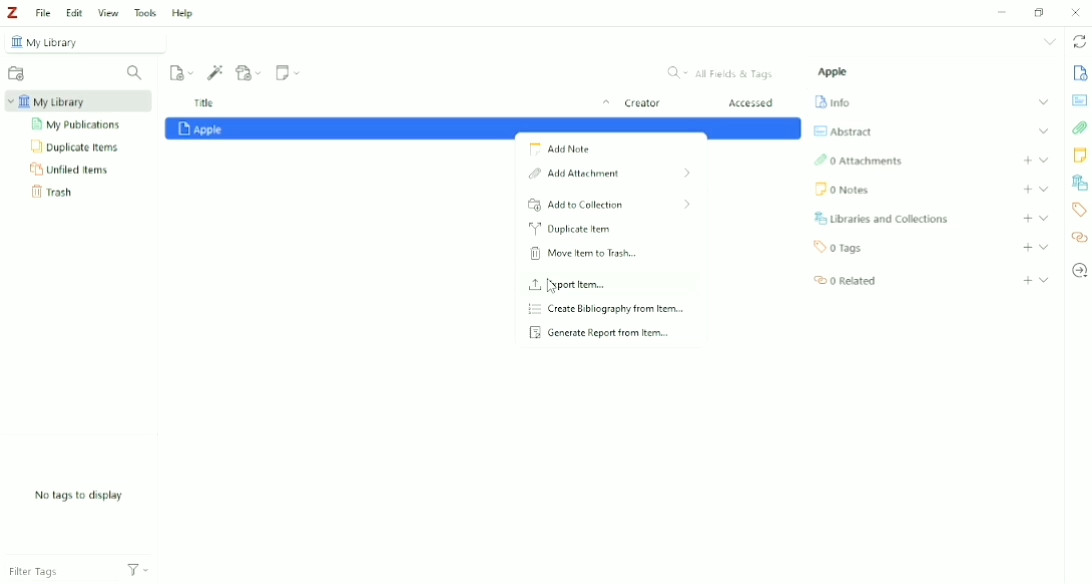  I want to click on Minimize, so click(1004, 11).